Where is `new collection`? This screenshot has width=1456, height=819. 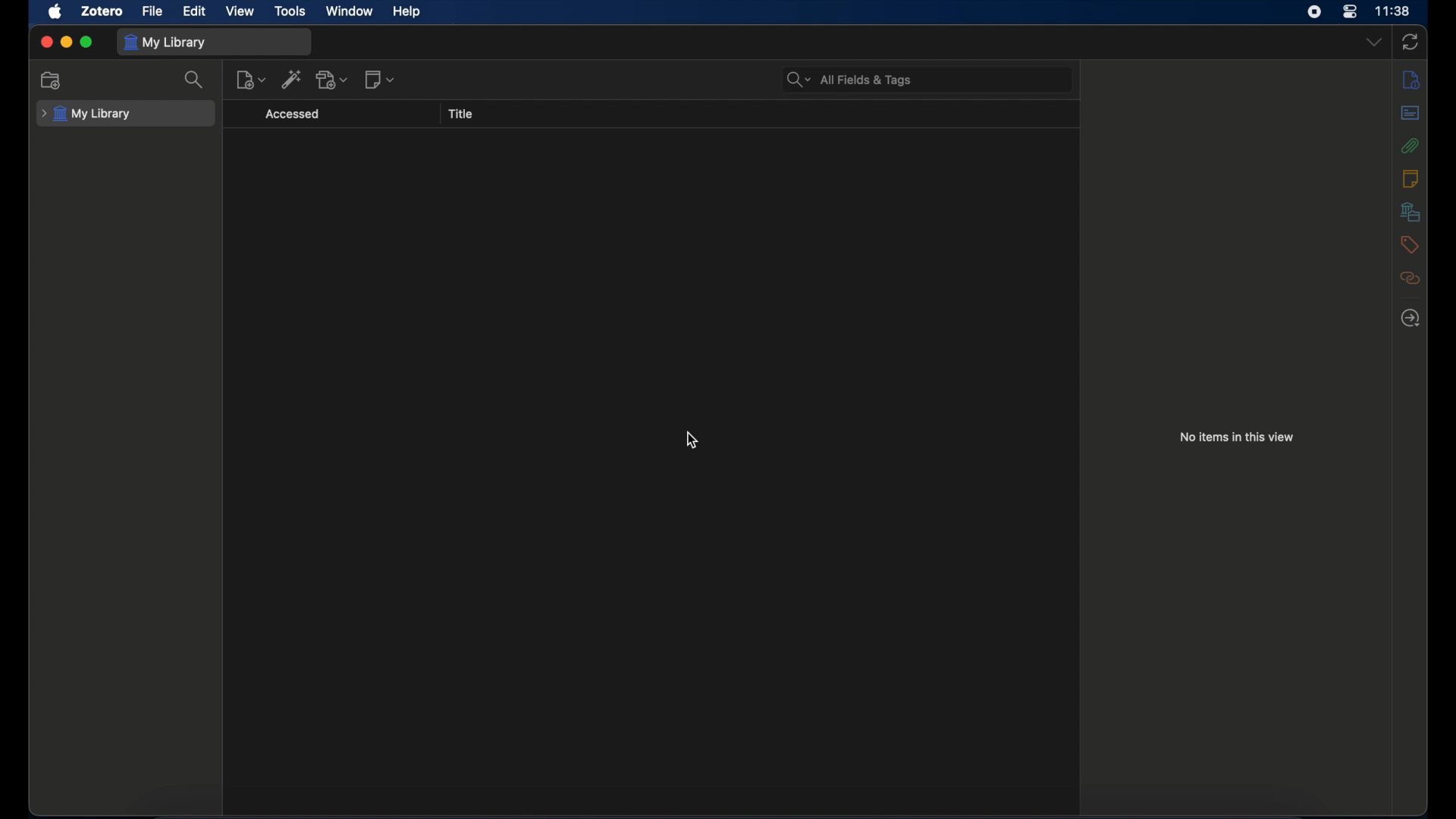 new collection is located at coordinates (51, 80).